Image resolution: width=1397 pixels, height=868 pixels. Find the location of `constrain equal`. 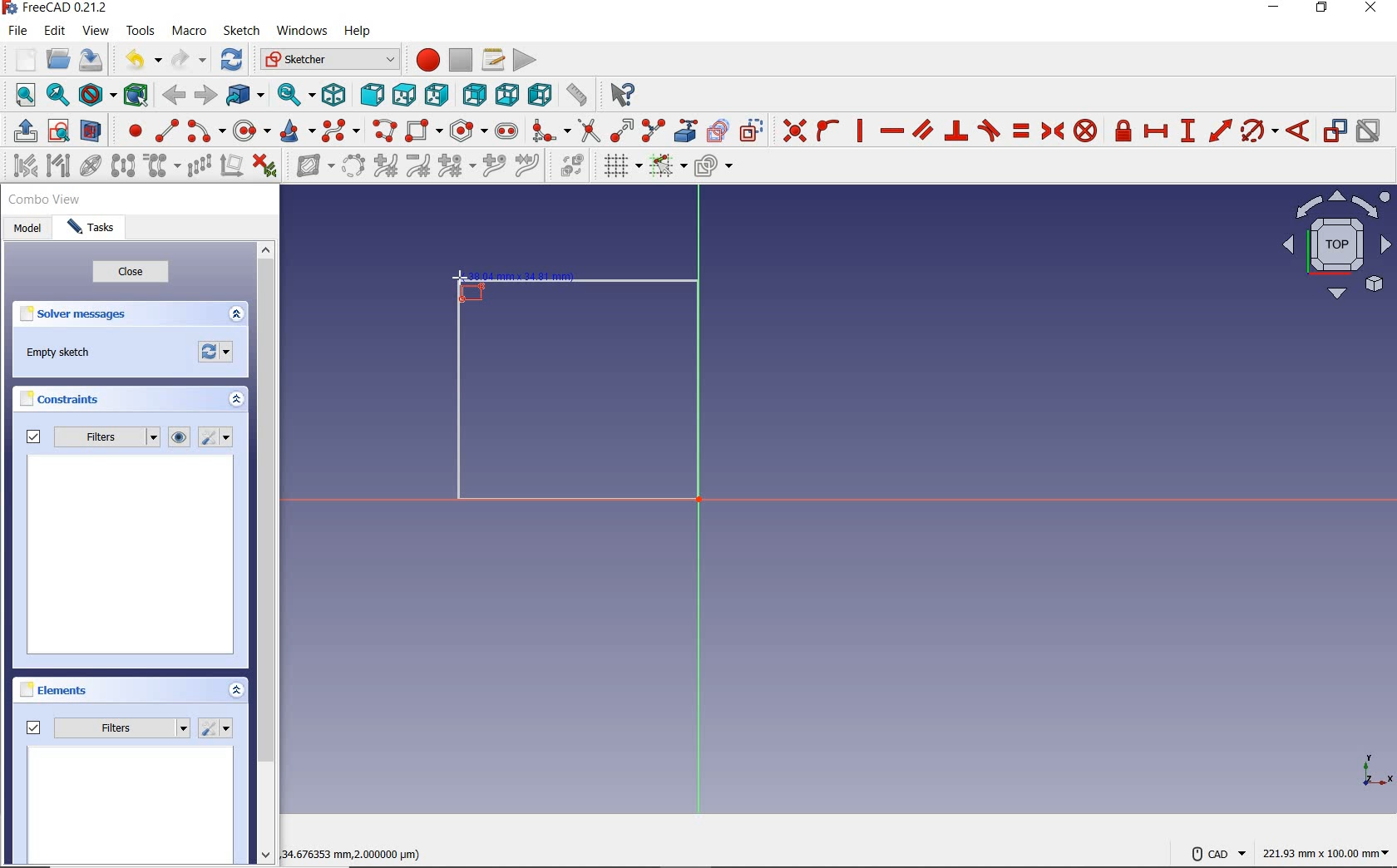

constrain equal is located at coordinates (1020, 131).